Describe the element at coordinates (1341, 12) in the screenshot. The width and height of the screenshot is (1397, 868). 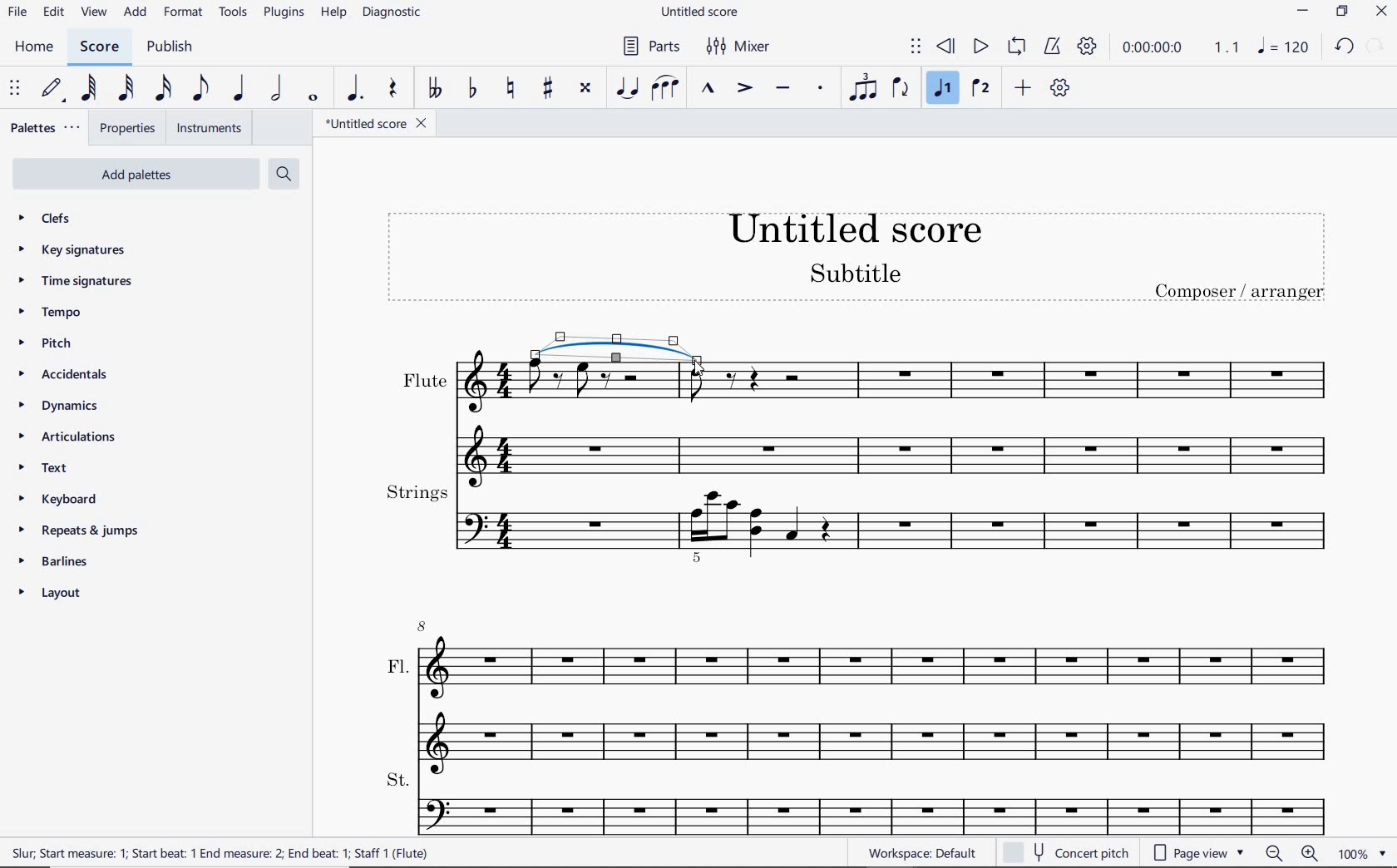
I see `restore down` at that location.